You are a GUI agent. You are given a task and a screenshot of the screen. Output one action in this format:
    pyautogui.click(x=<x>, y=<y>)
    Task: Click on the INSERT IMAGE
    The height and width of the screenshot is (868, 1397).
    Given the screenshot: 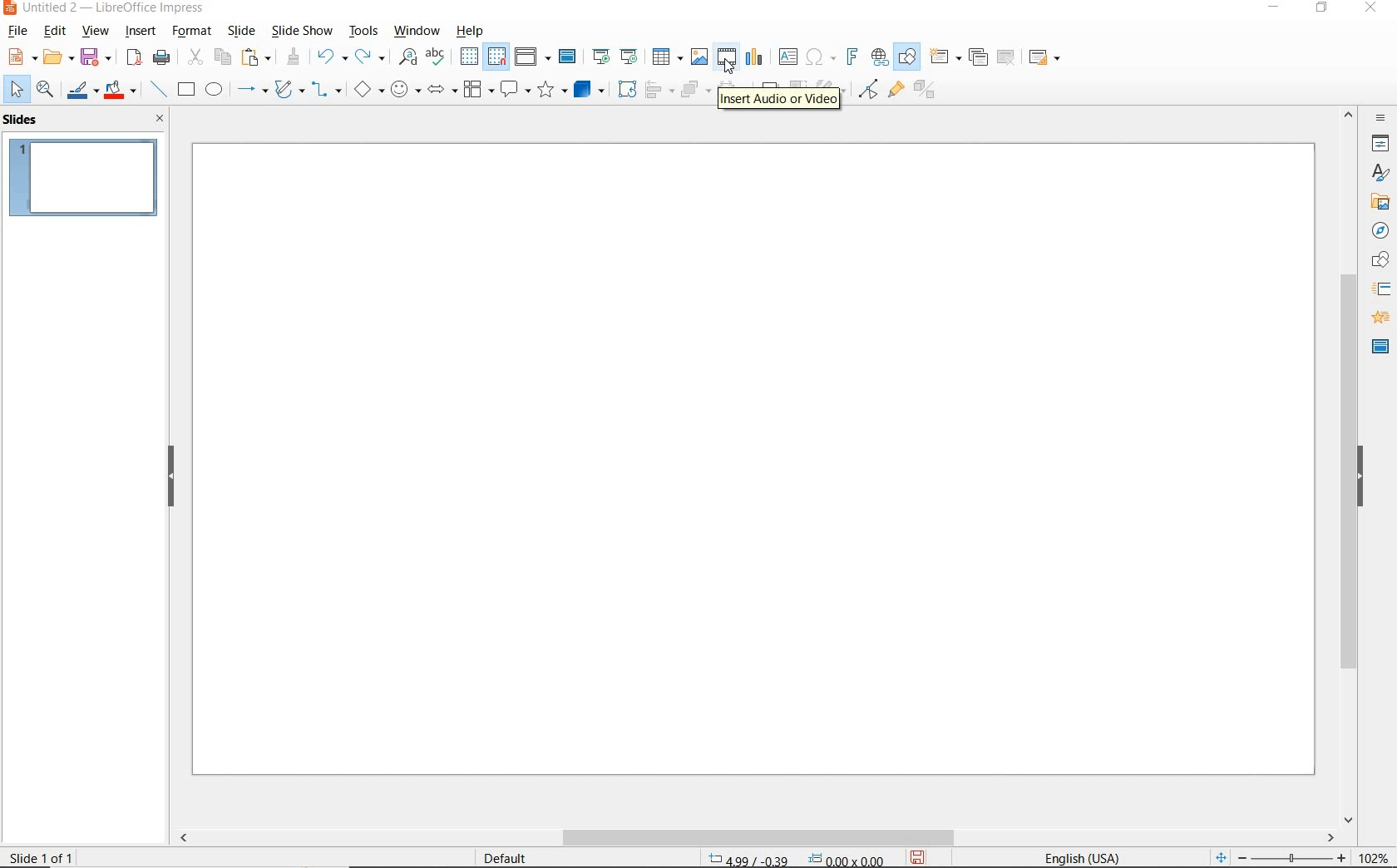 What is the action you would take?
    pyautogui.click(x=700, y=57)
    